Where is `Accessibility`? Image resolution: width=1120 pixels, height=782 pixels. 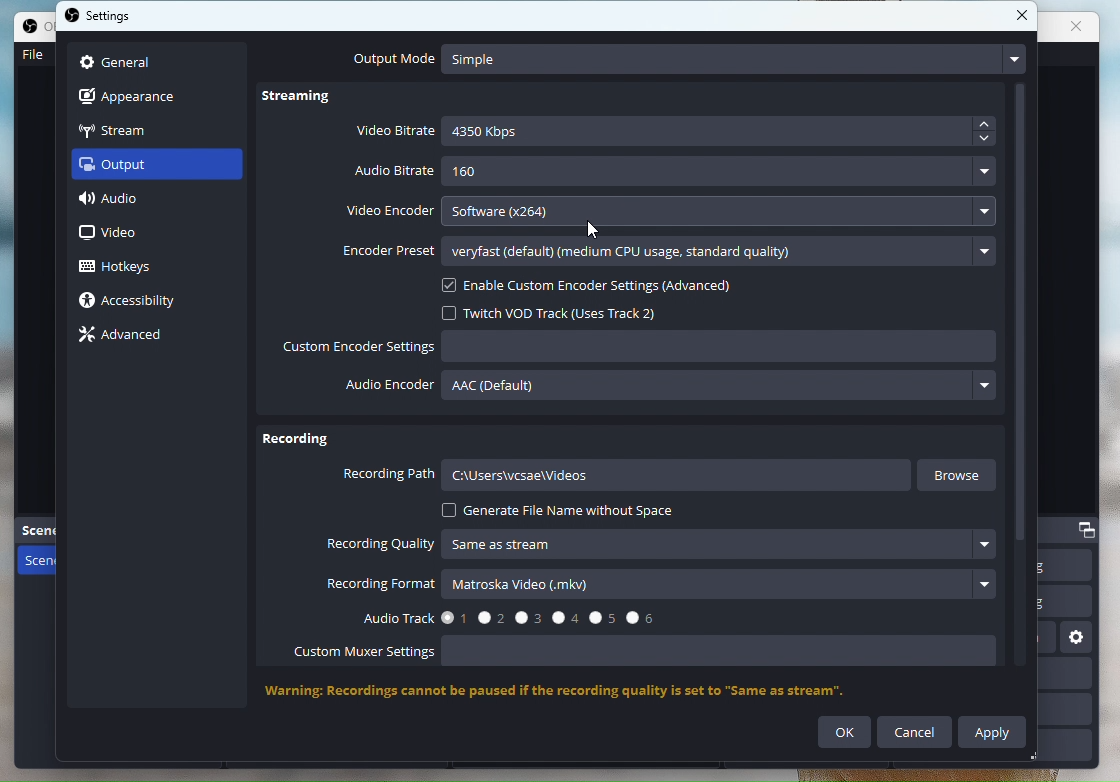 Accessibility is located at coordinates (138, 302).